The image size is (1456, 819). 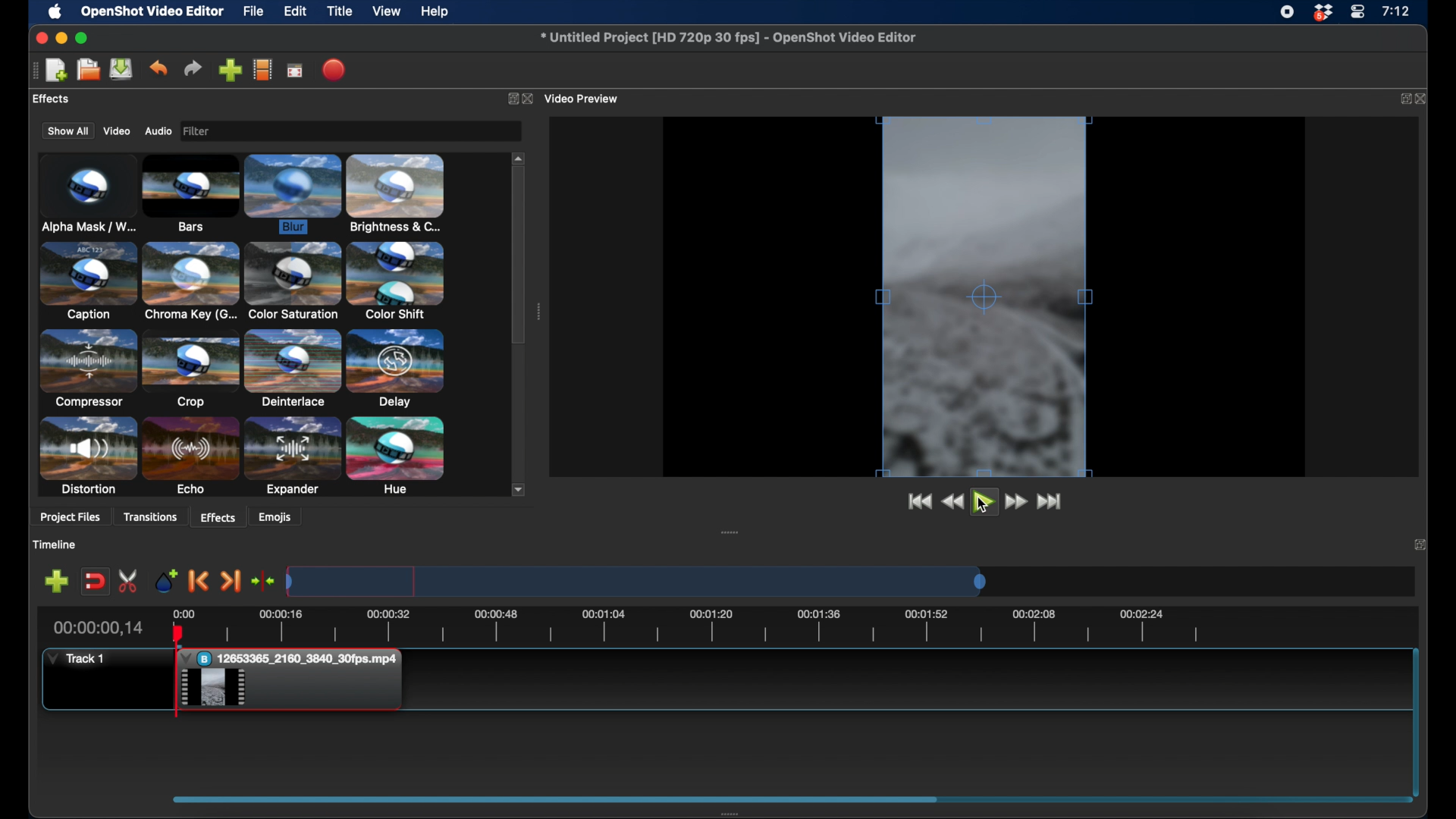 What do you see at coordinates (86, 70) in the screenshot?
I see `open project` at bounding box center [86, 70].